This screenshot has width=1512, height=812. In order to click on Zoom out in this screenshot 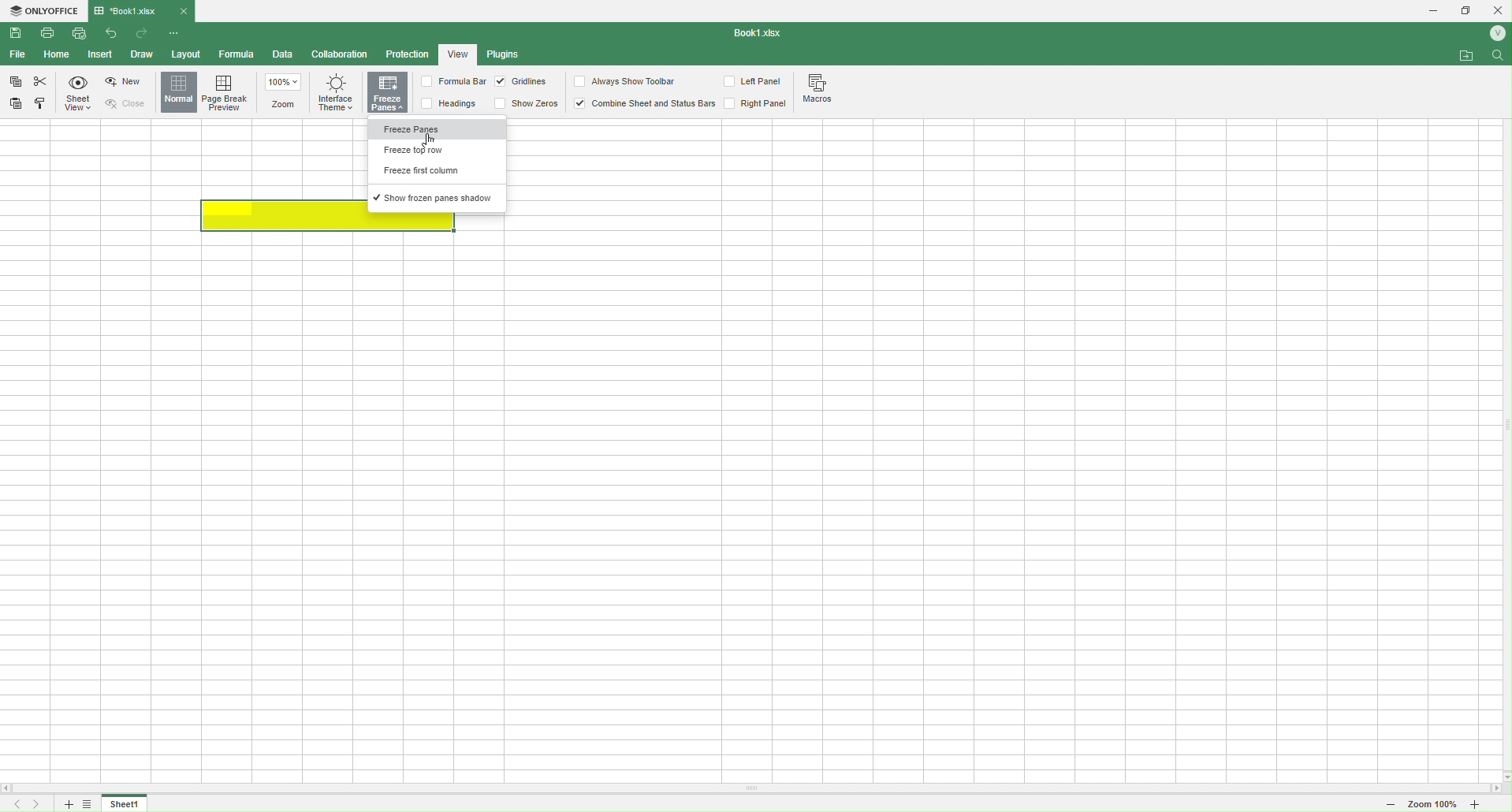, I will do `click(1384, 805)`.